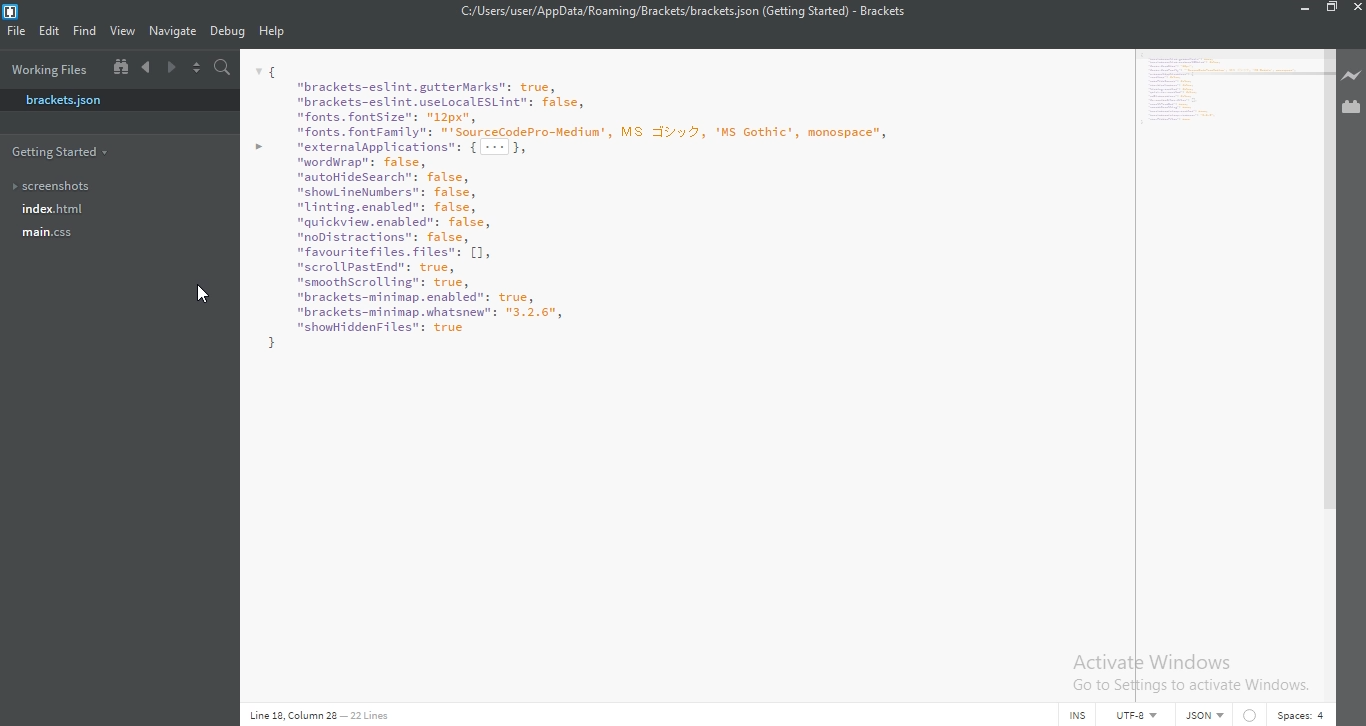  What do you see at coordinates (10, 12) in the screenshot?
I see `Brackets Desktop Icon` at bounding box center [10, 12].